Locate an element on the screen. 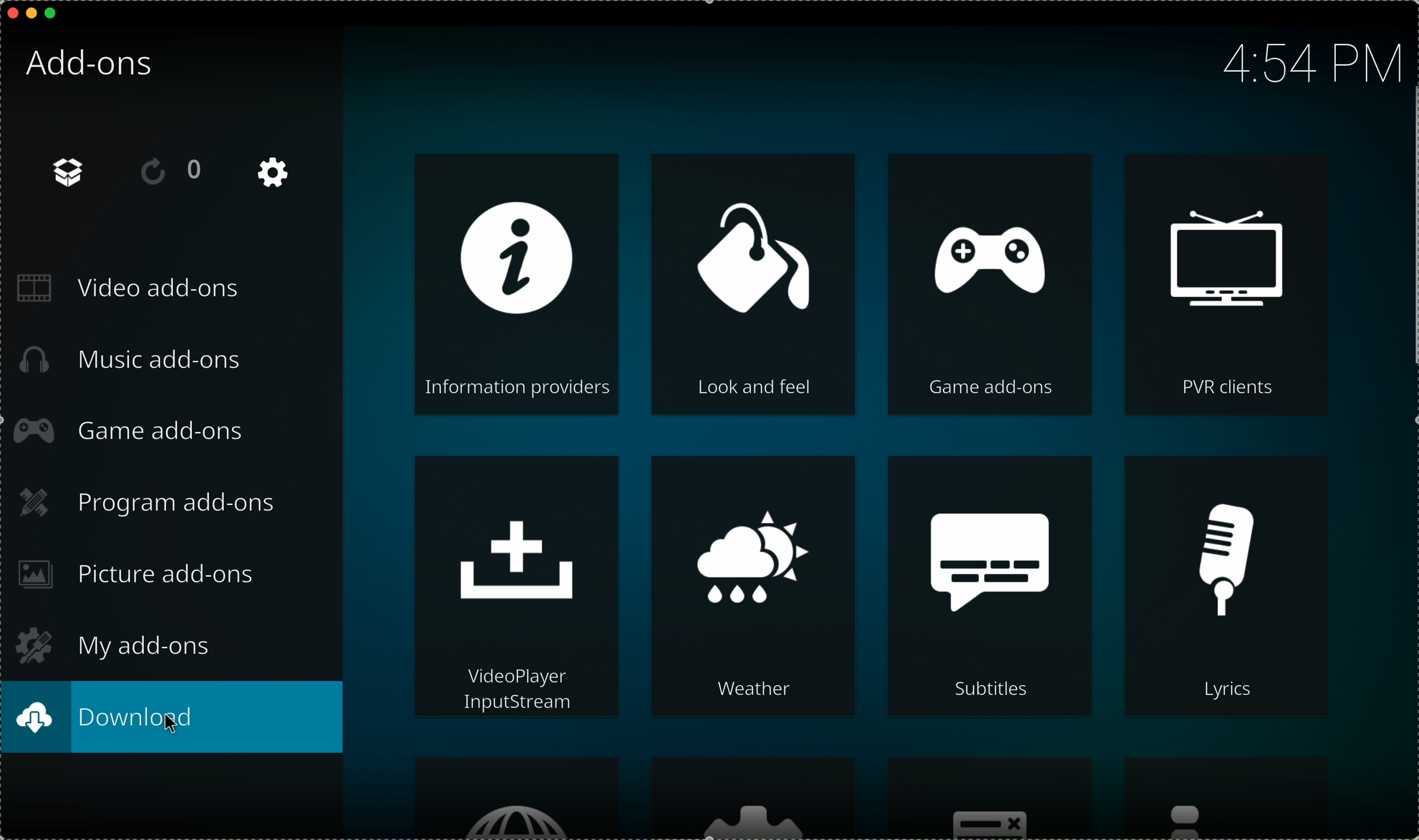 This screenshot has width=1419, height=840. videoplayer inputstream is located at coordinates (518, 588).